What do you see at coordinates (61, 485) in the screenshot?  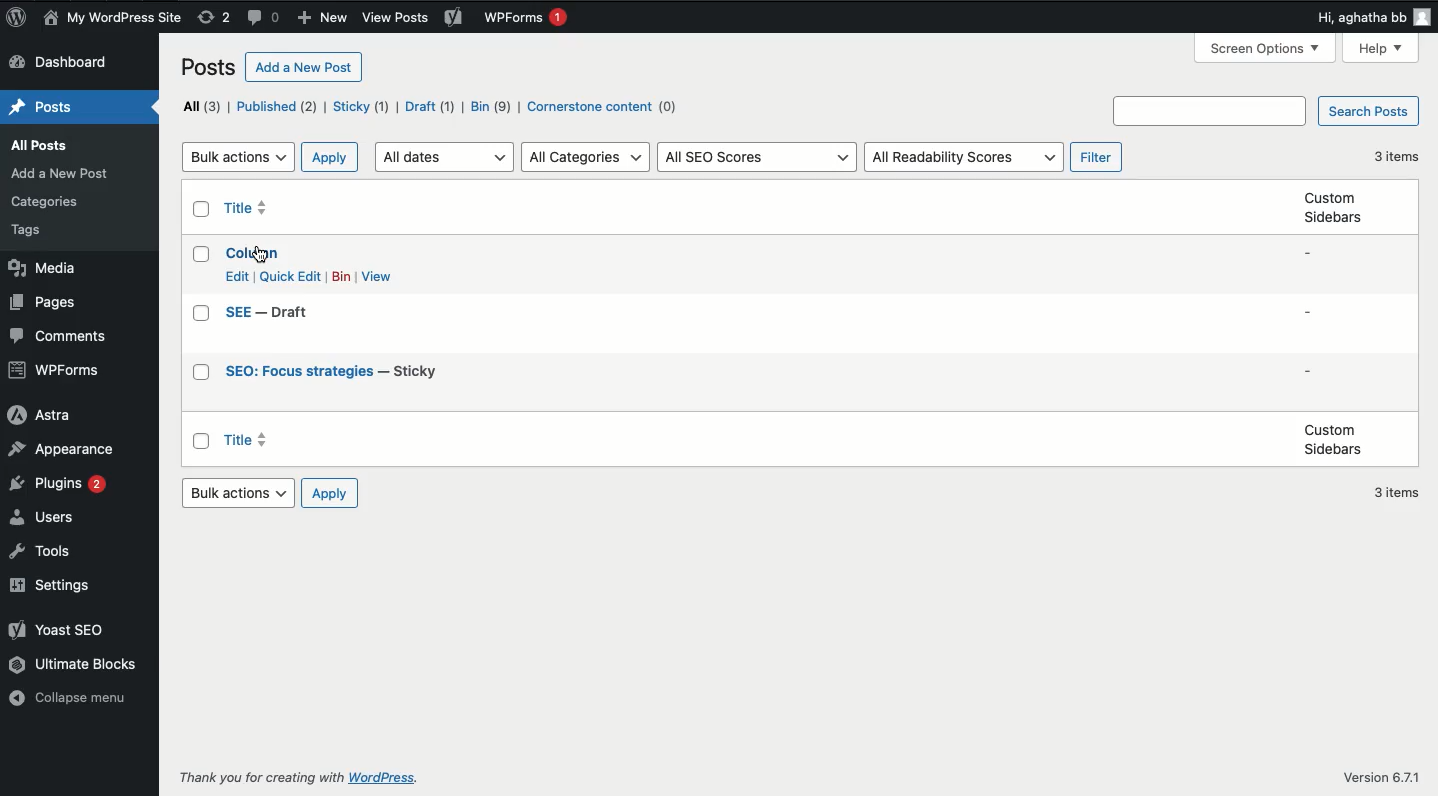 I see `Plugins` at bounding box center [61, 485].